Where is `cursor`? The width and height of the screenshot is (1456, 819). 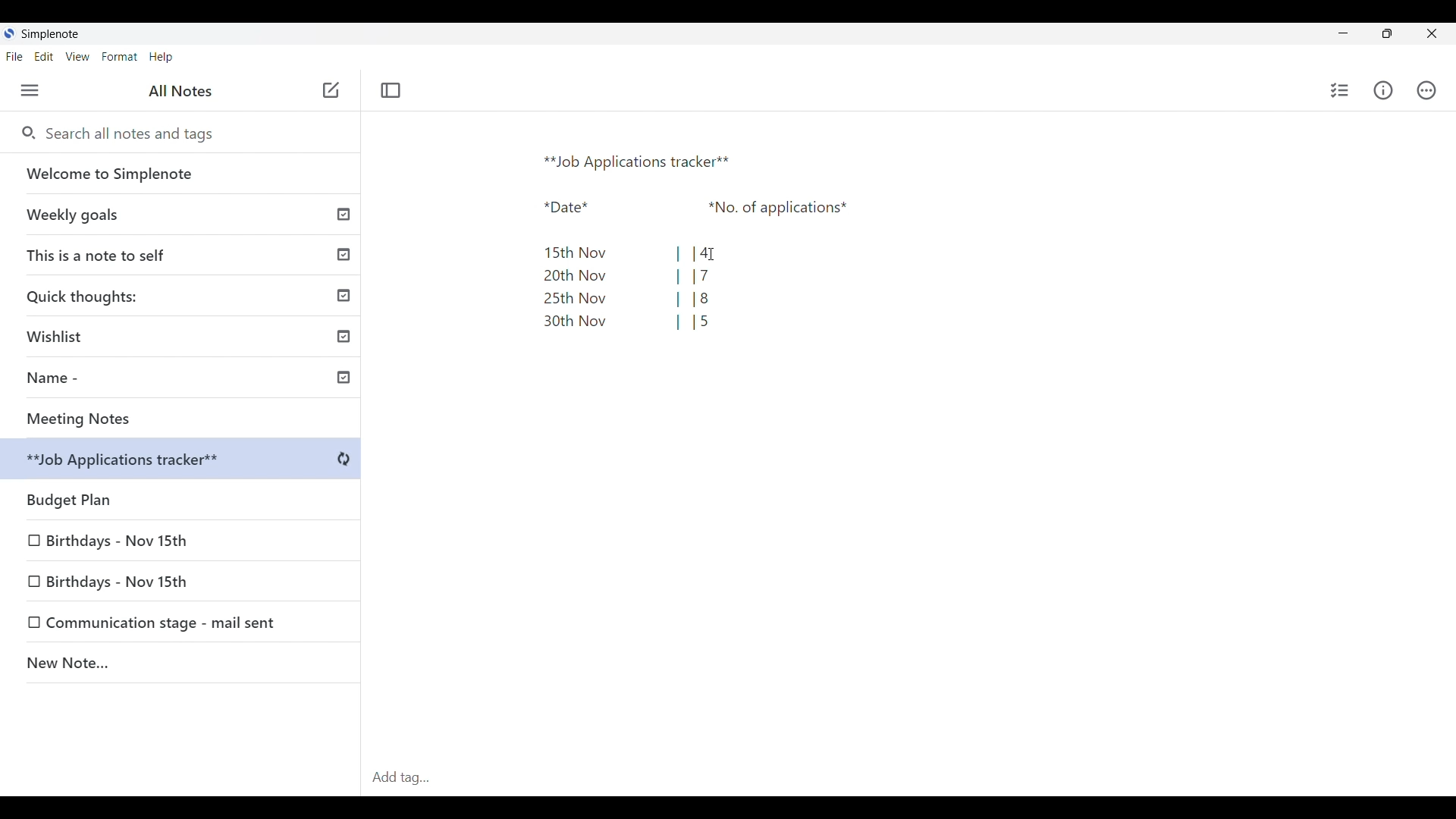 cursor is located at coordinates (708, 246).